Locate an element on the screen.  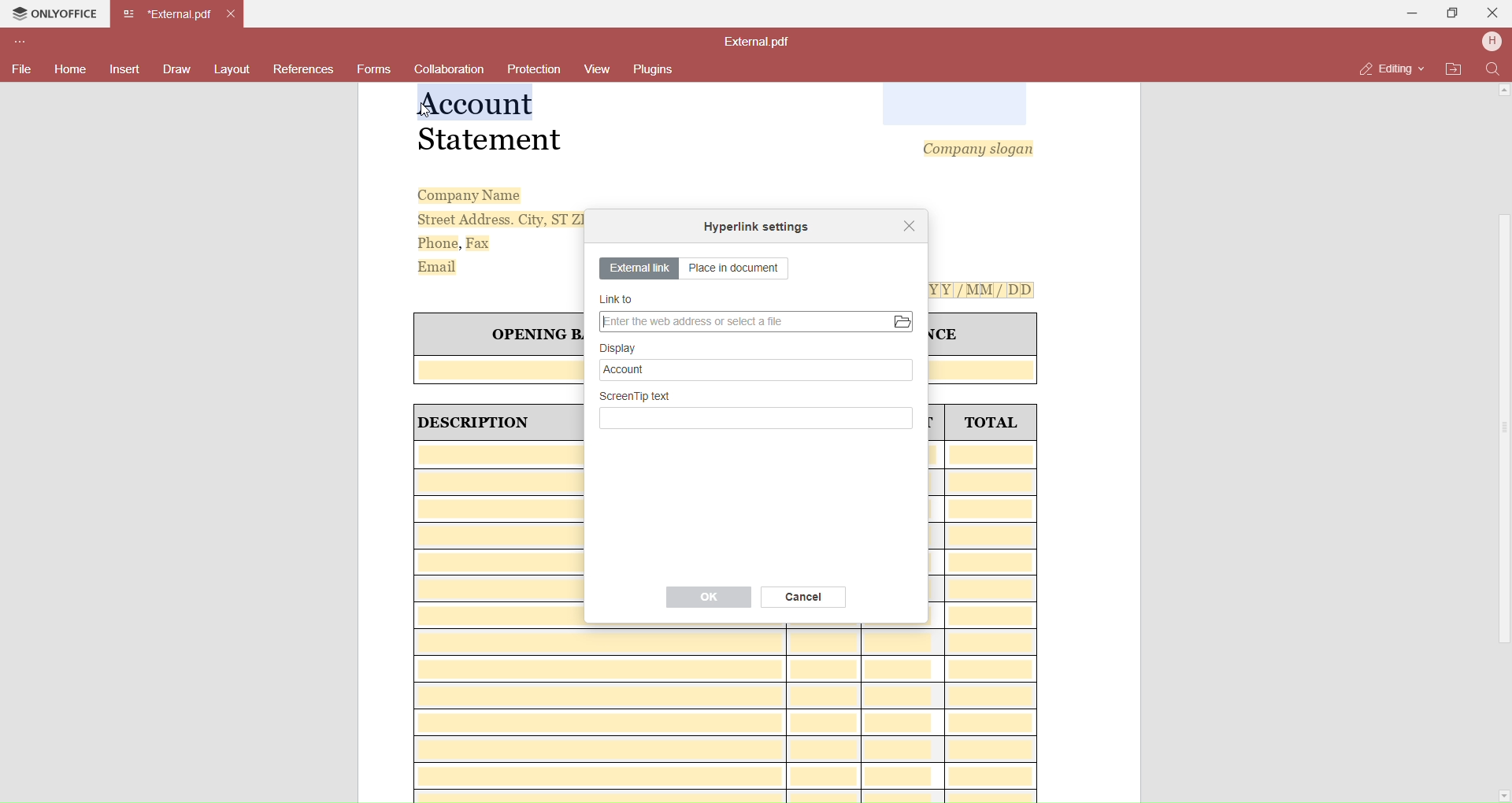
Forms is located at coordinates (374, 68).